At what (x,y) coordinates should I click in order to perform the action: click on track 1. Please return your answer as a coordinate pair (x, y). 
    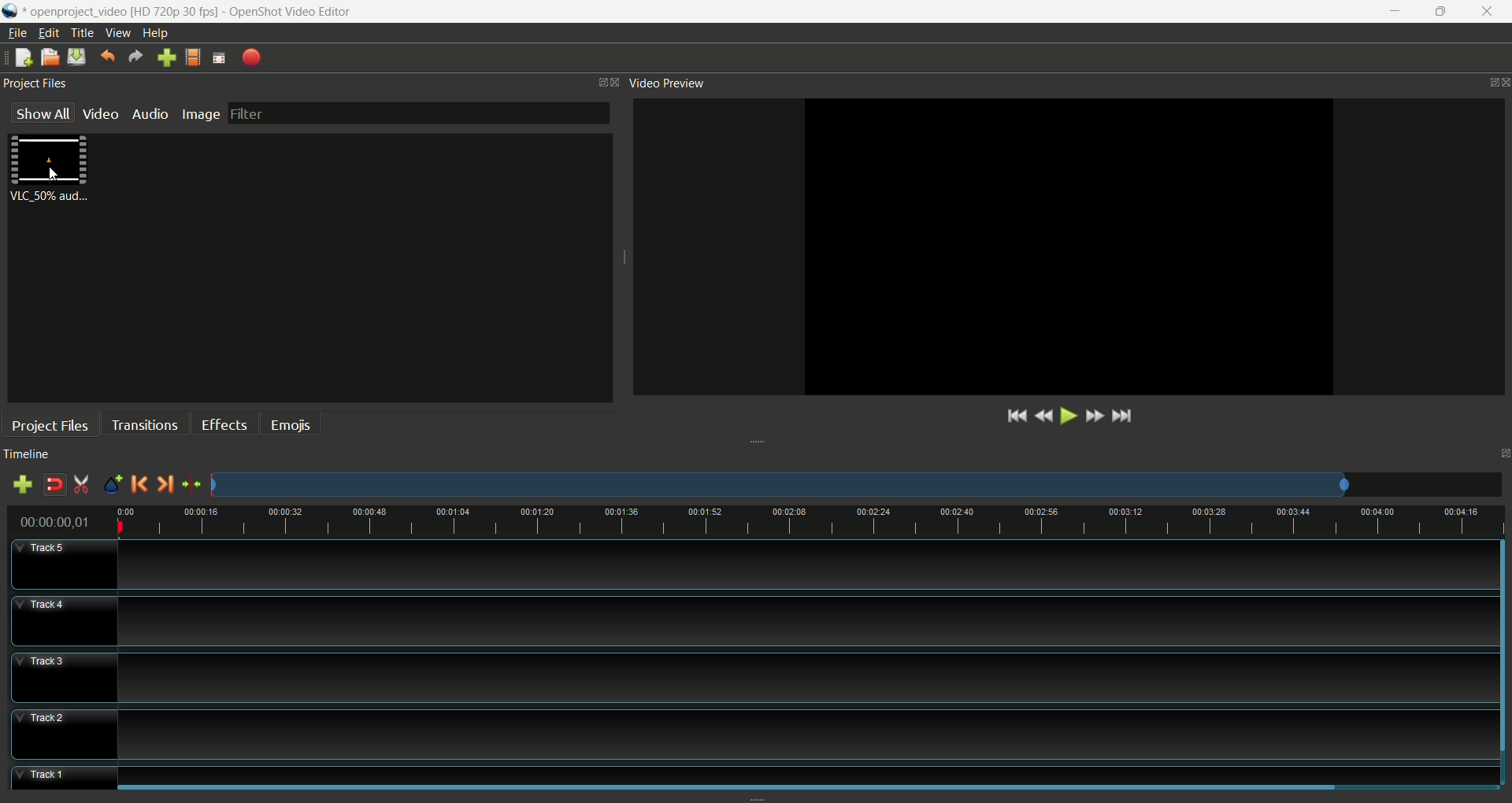
    Looking at the image, I should click on (753, 779).